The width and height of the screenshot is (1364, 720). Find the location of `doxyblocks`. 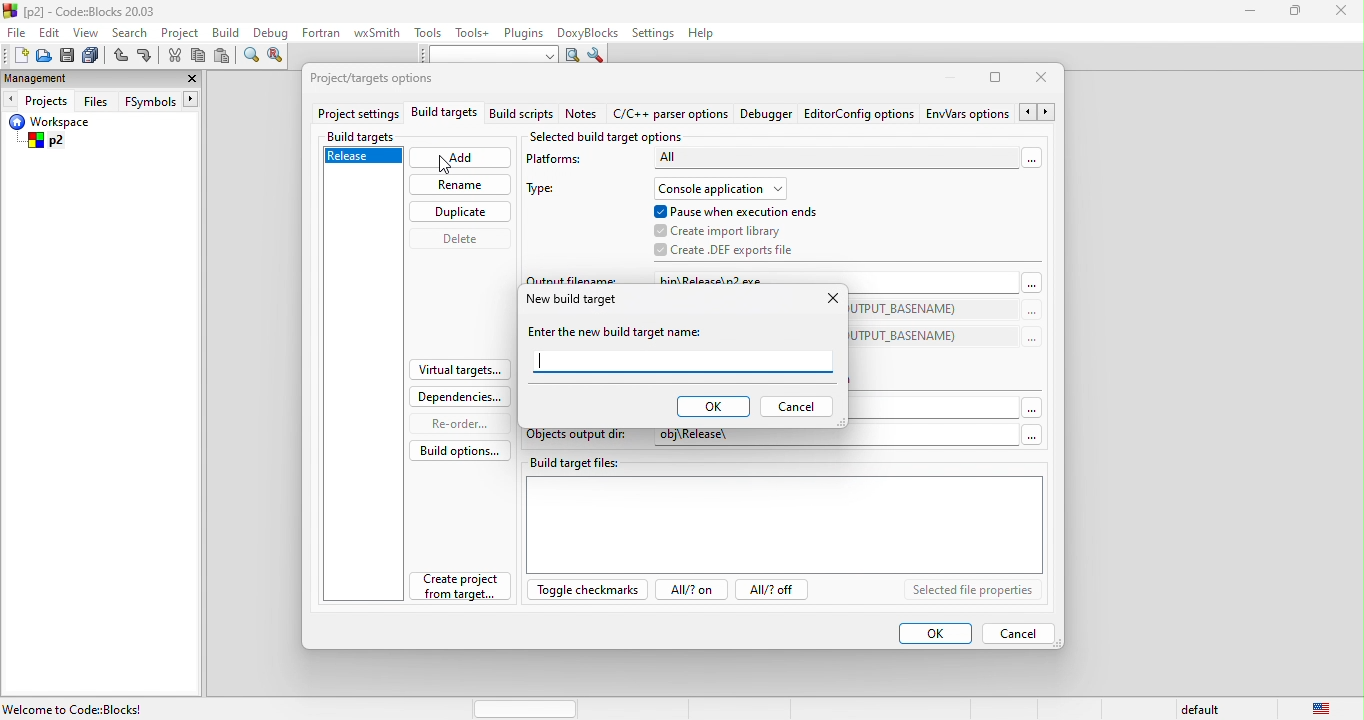

doxyblocks is located at coordinates (589, 33).